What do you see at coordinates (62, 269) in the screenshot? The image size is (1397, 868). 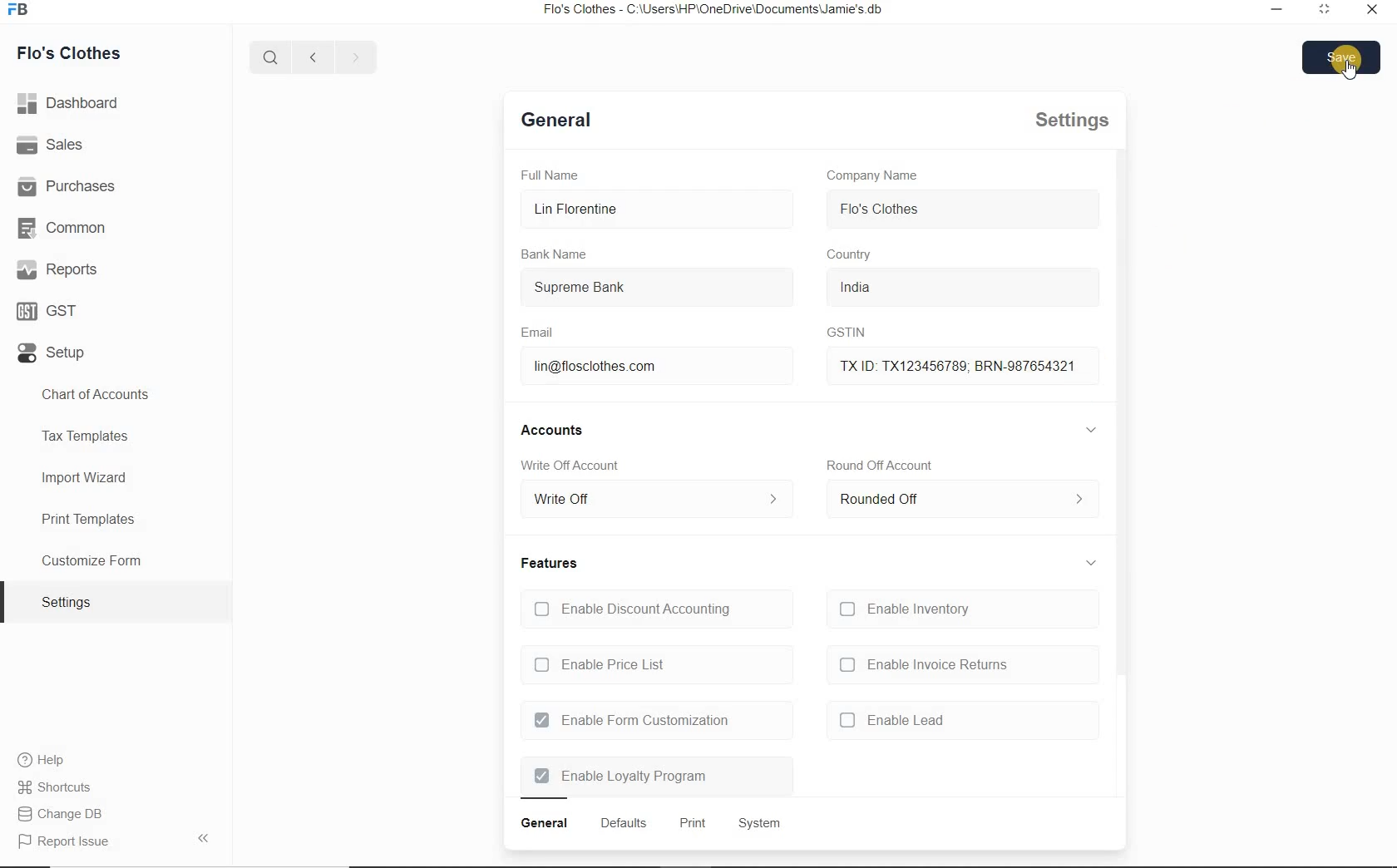 I see `Reports` at bounding box center [62, 269].